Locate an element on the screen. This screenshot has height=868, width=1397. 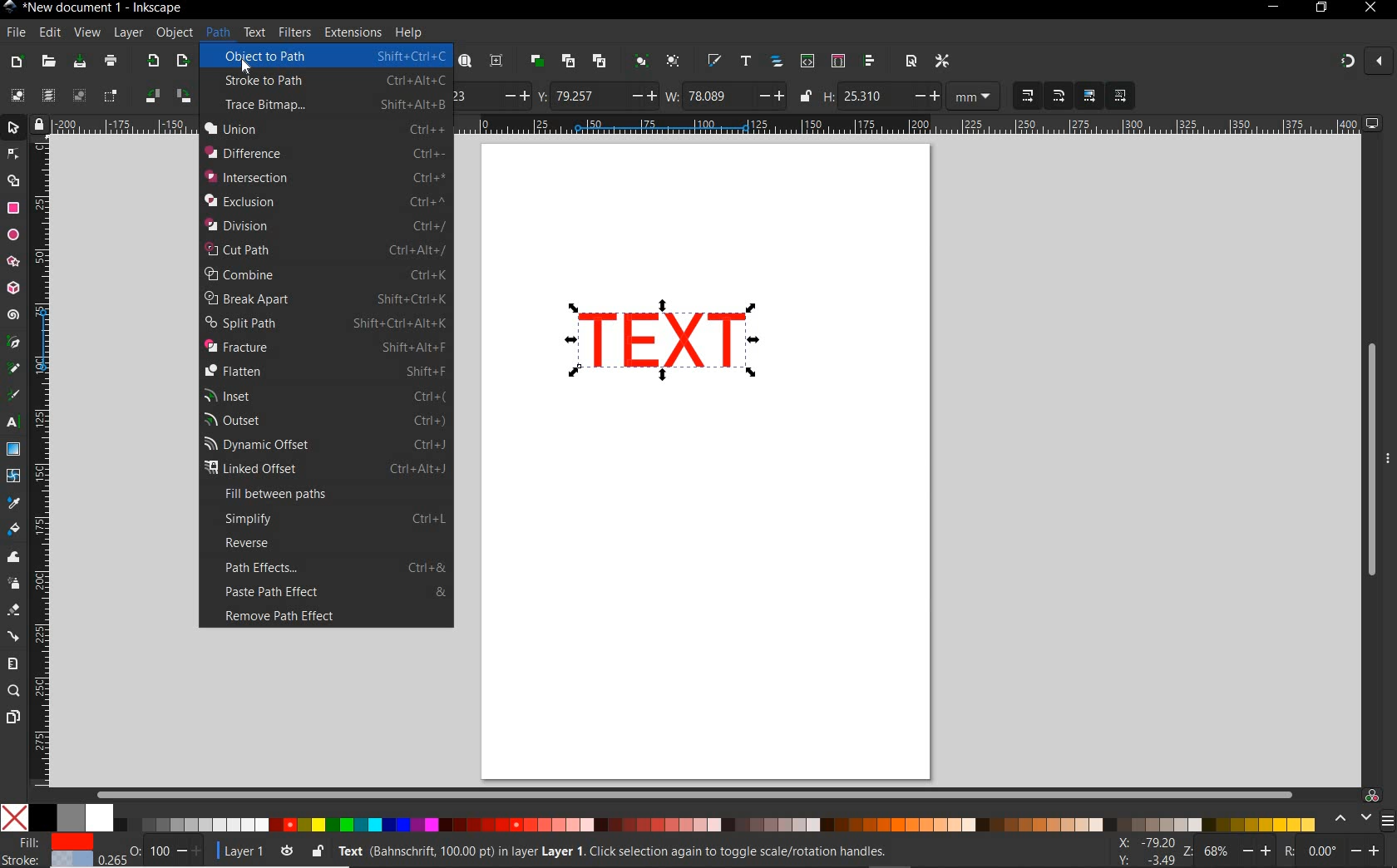
FRACTURE is located at coordinates (323, 348).